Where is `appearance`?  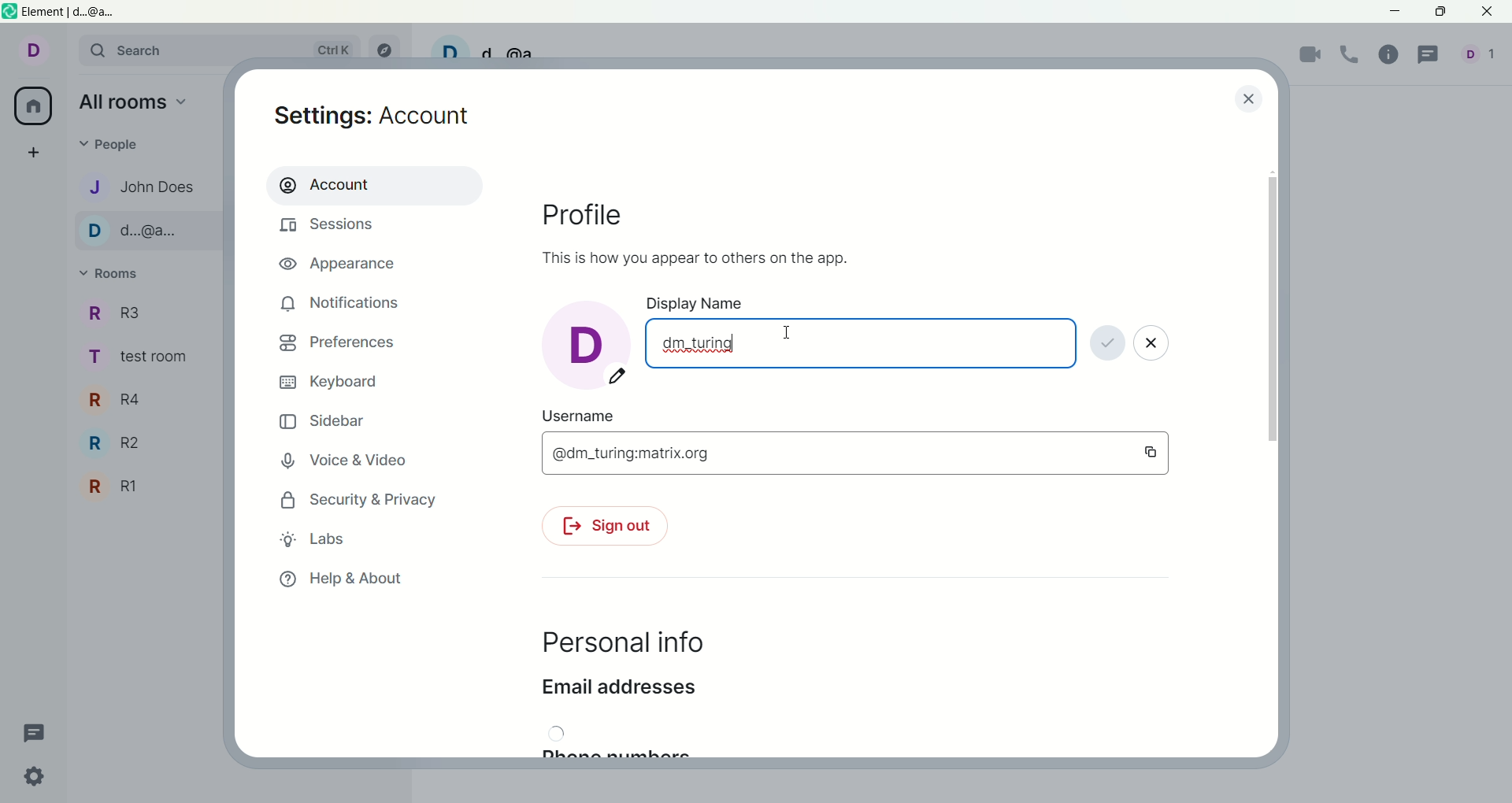
appearance is located at coordinates (344, 266).